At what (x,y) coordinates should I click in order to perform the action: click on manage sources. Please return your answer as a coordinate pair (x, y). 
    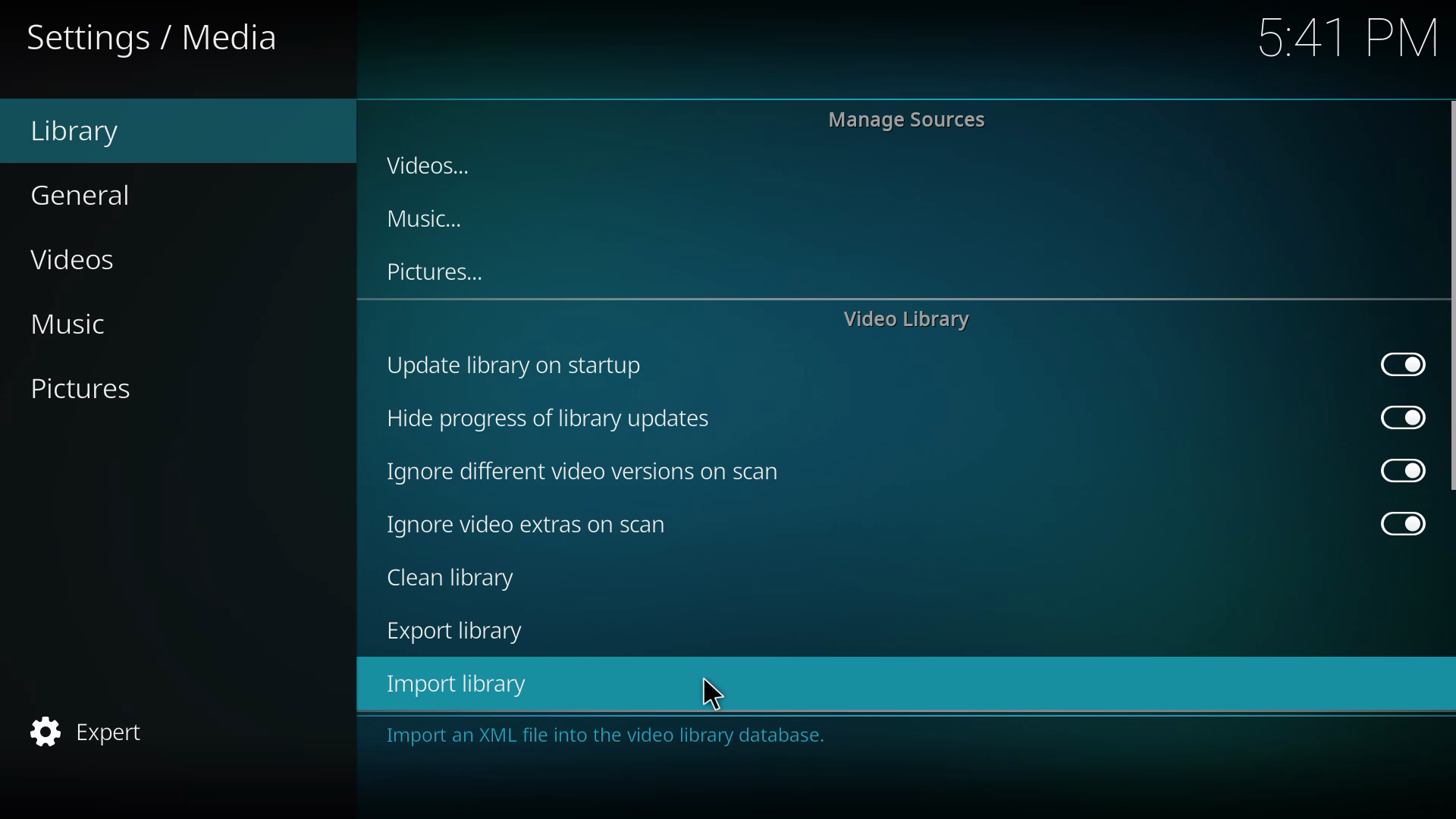
    Looking at the image, I should click on (908, 120).